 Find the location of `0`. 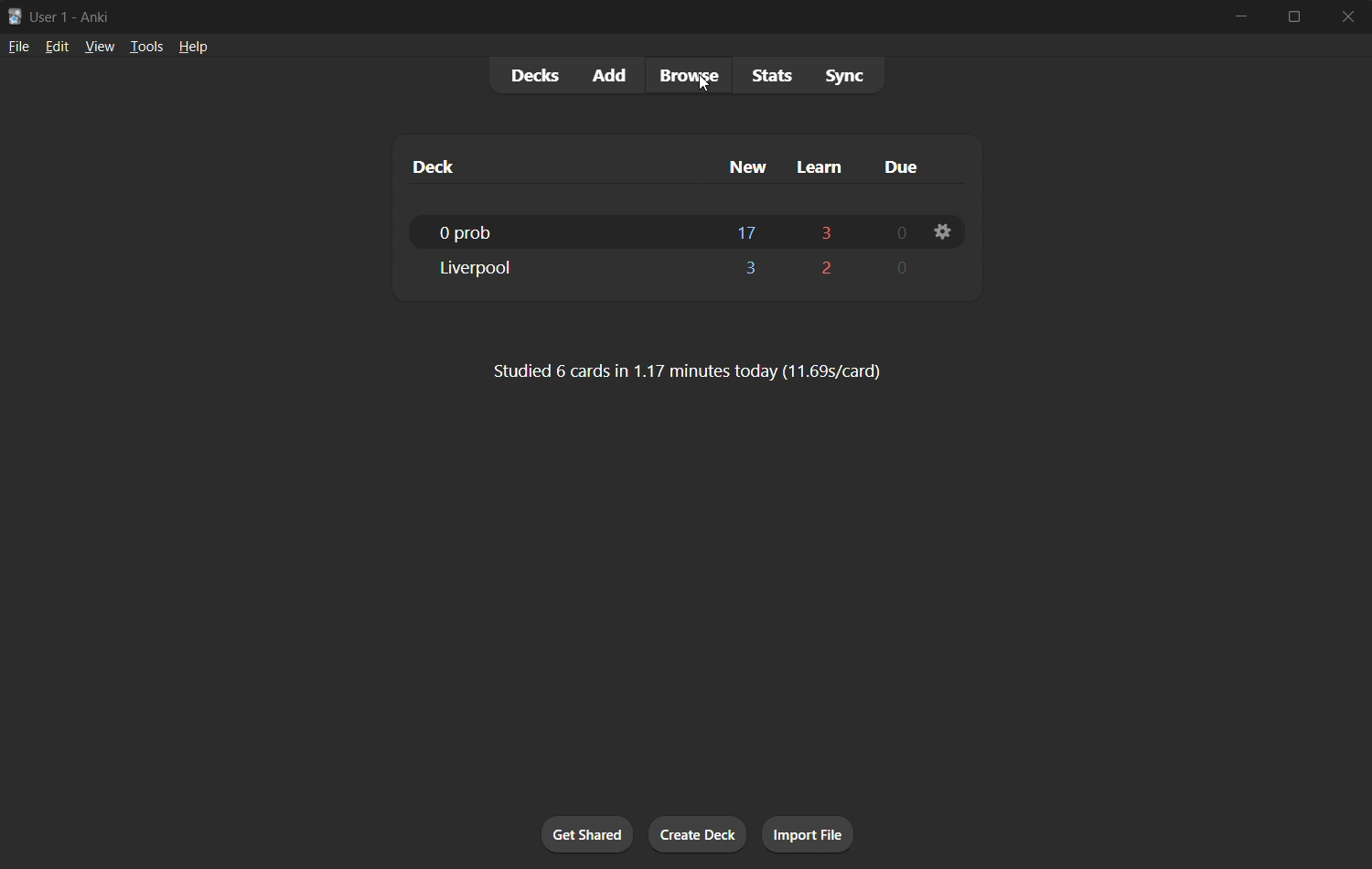

0 is located at coordinates (897, 232).